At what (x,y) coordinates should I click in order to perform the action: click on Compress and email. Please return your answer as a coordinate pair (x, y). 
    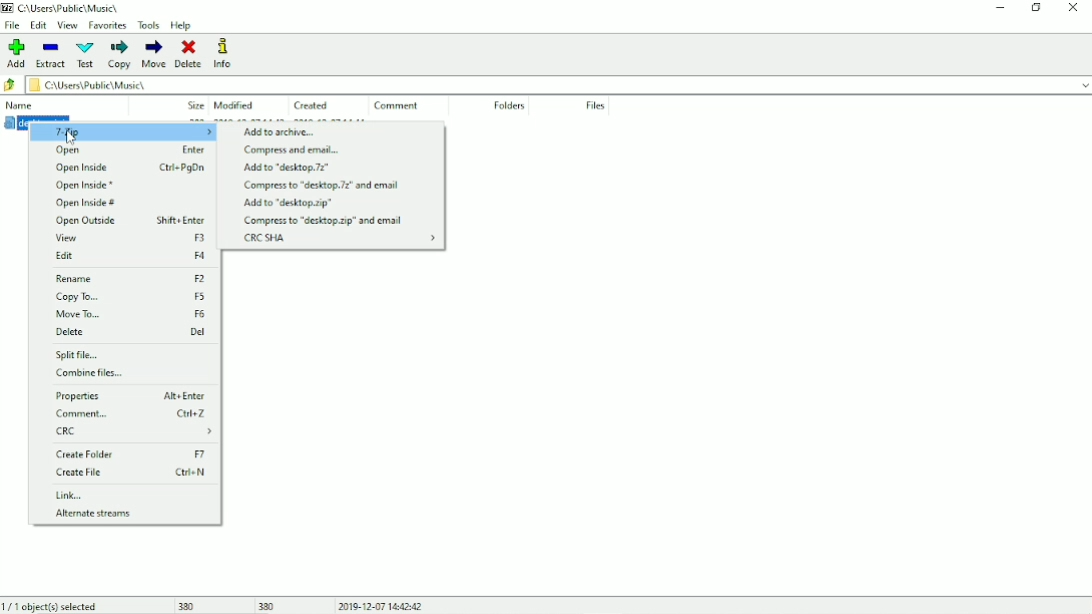
    Looking at the image, I should click on (294, 150).